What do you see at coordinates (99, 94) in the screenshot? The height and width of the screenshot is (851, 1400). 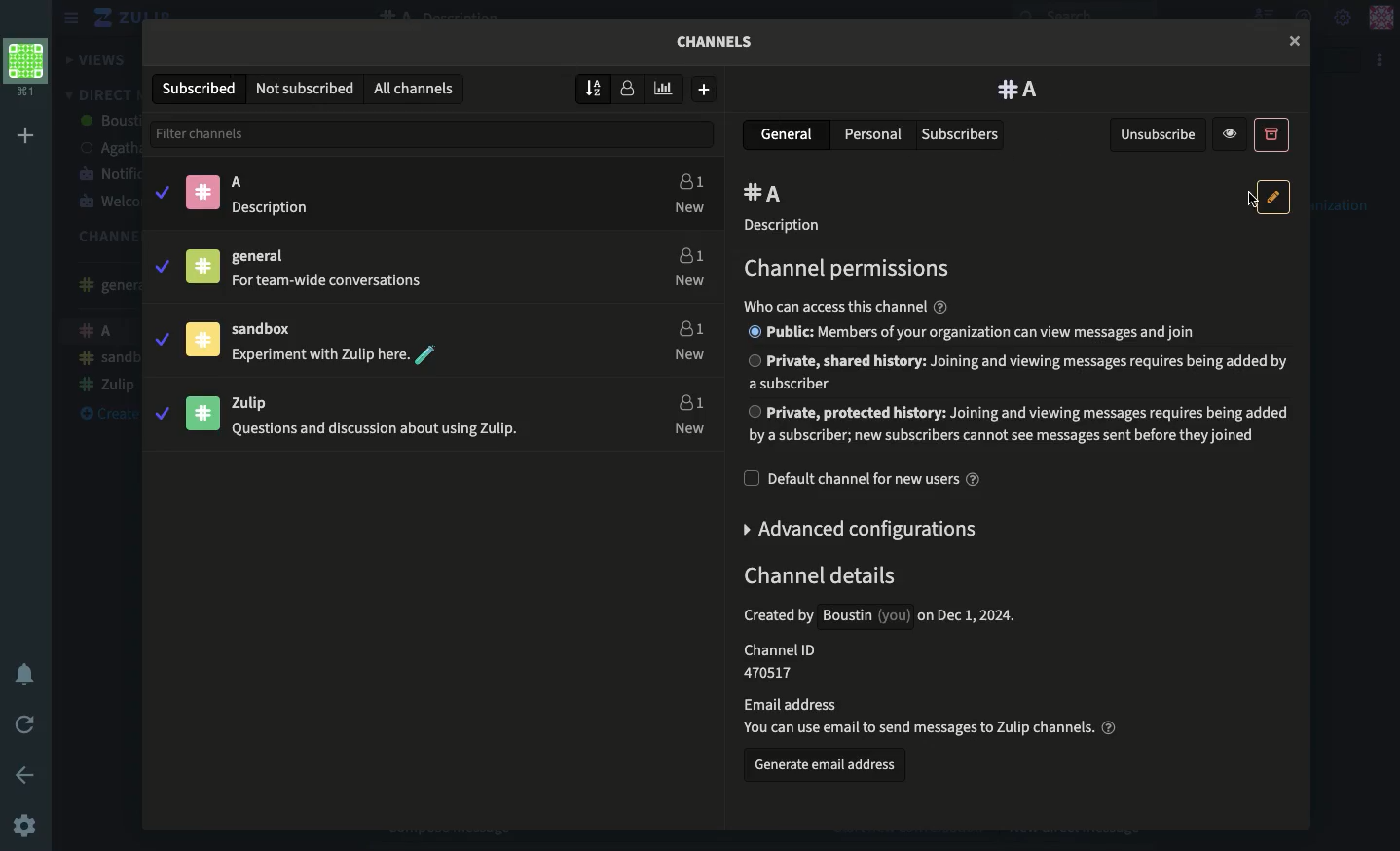 I see `DM` at bounding box center [99, 94].